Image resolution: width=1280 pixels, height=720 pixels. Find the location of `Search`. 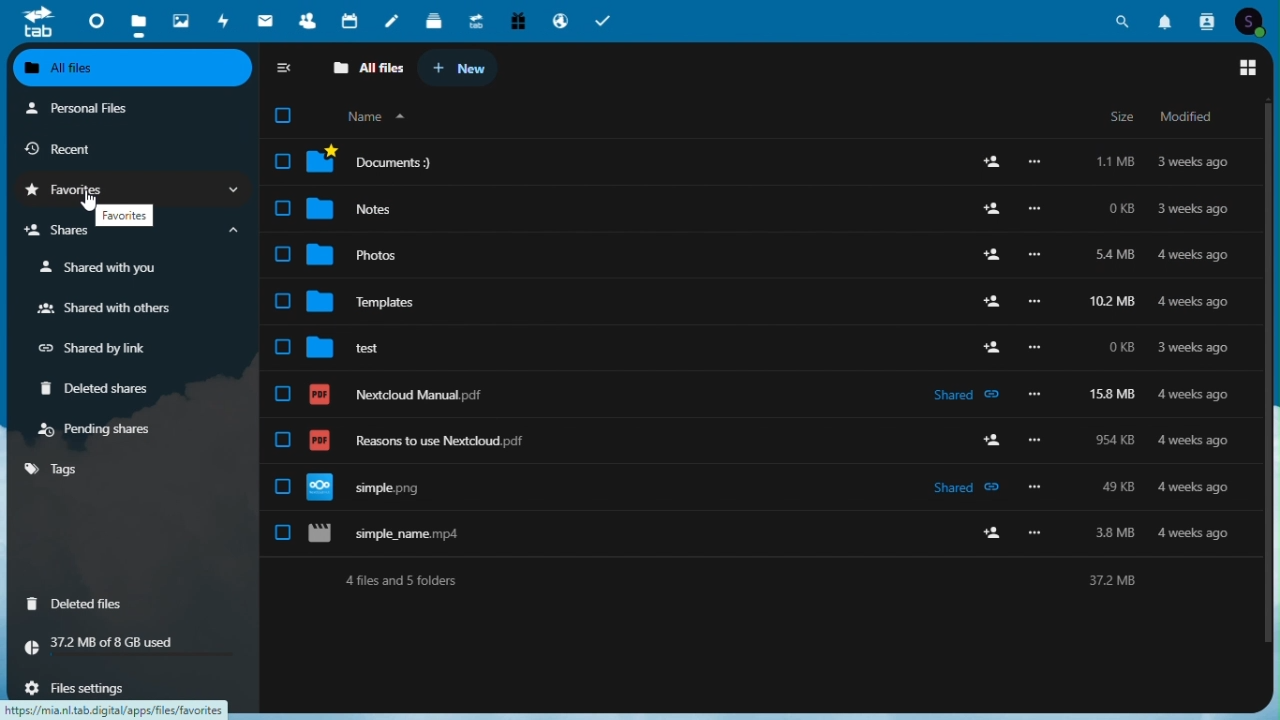

Search is located at coordinates (1123, 21).